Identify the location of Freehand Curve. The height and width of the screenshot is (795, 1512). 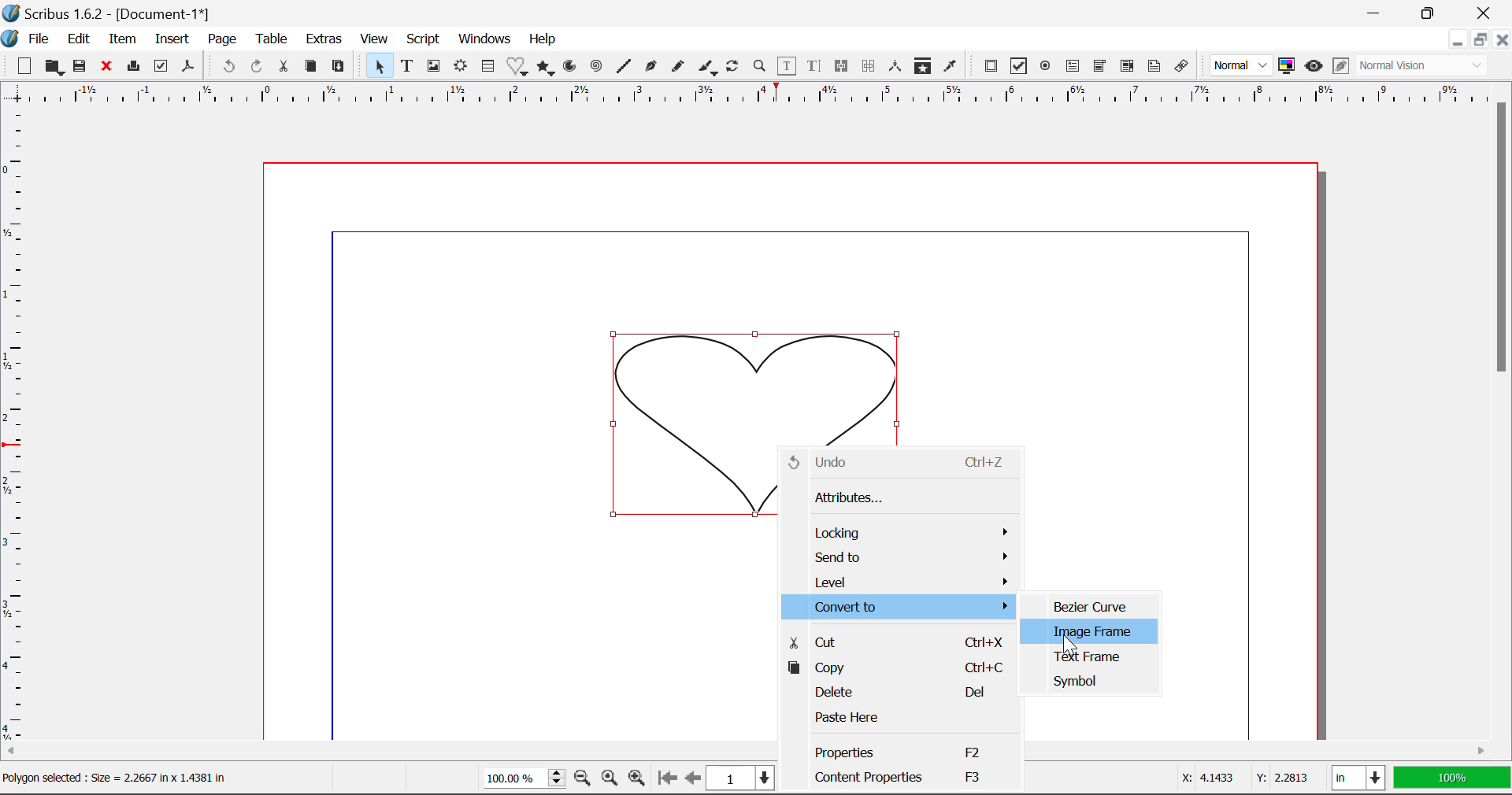
(680, 66).